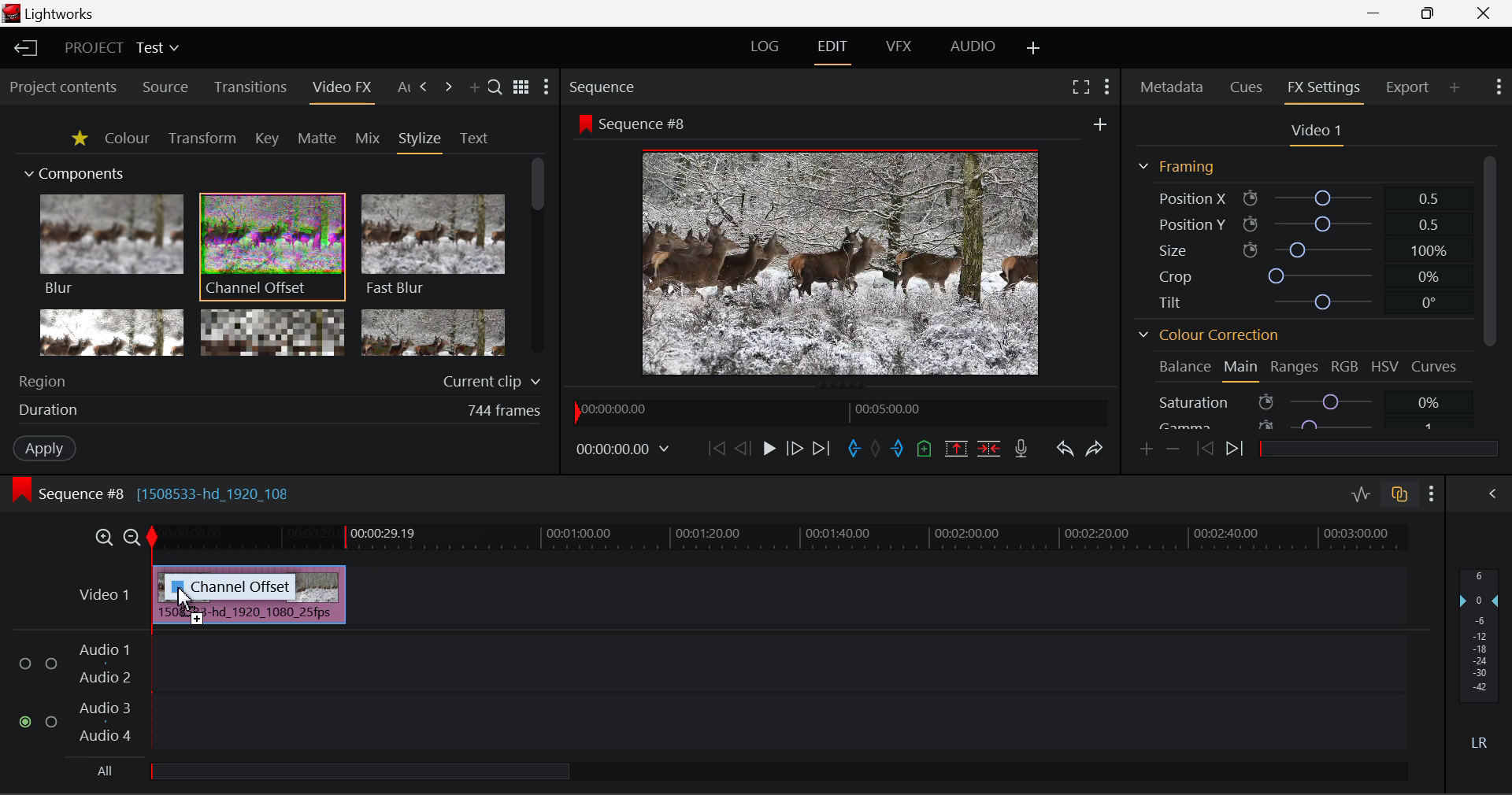 The height and width of the screenshot is (795, 1512). What do you see at coordinates (1034, 51) in the screenshot?
I see `Add Layout` at bounding box center [1034, 51].